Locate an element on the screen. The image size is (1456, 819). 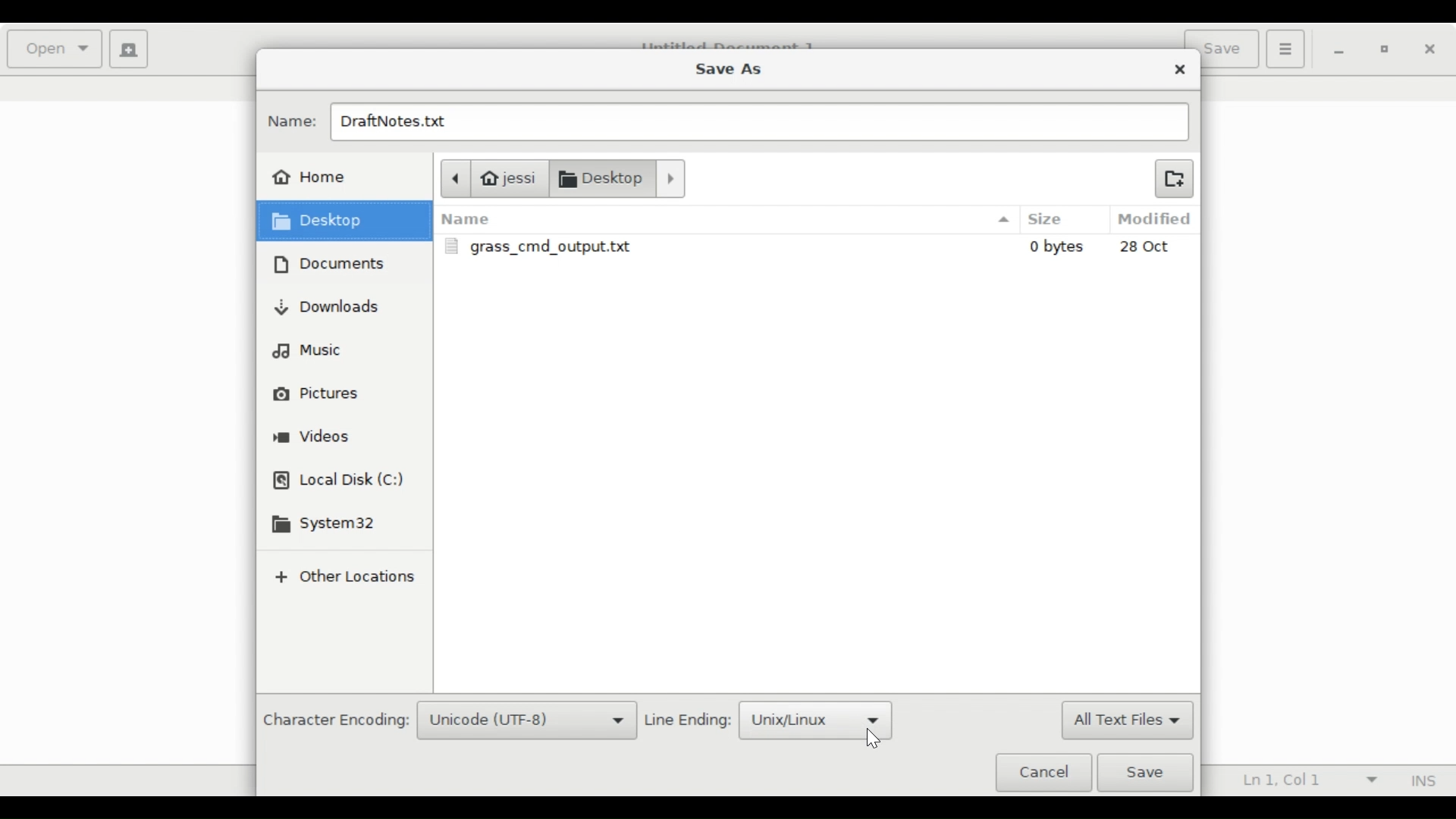
Downloads is located at coordinates (328, 306).